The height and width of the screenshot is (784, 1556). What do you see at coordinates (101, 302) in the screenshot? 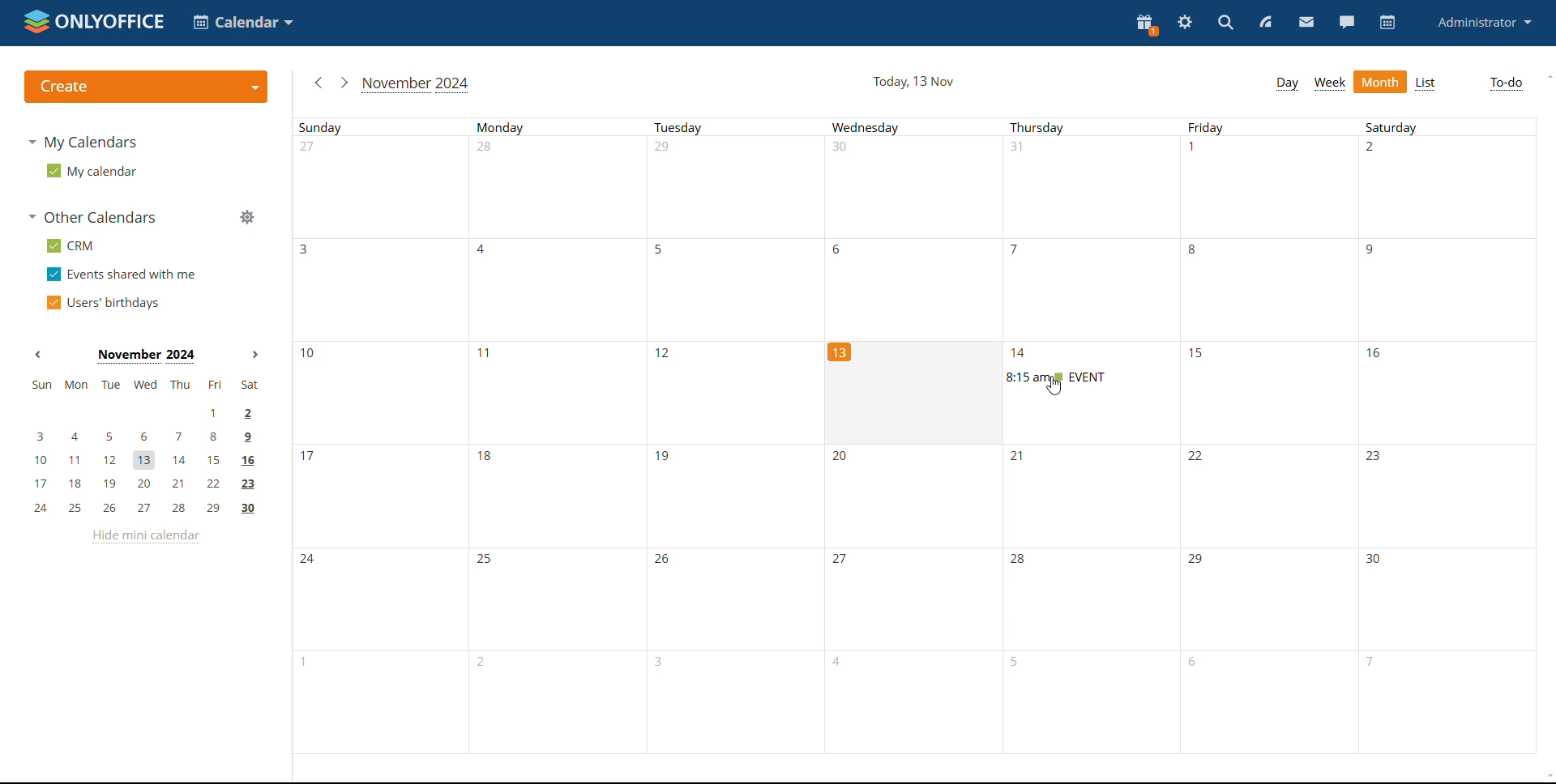
I see `users' birthdays` at bounding box center [101, 302].